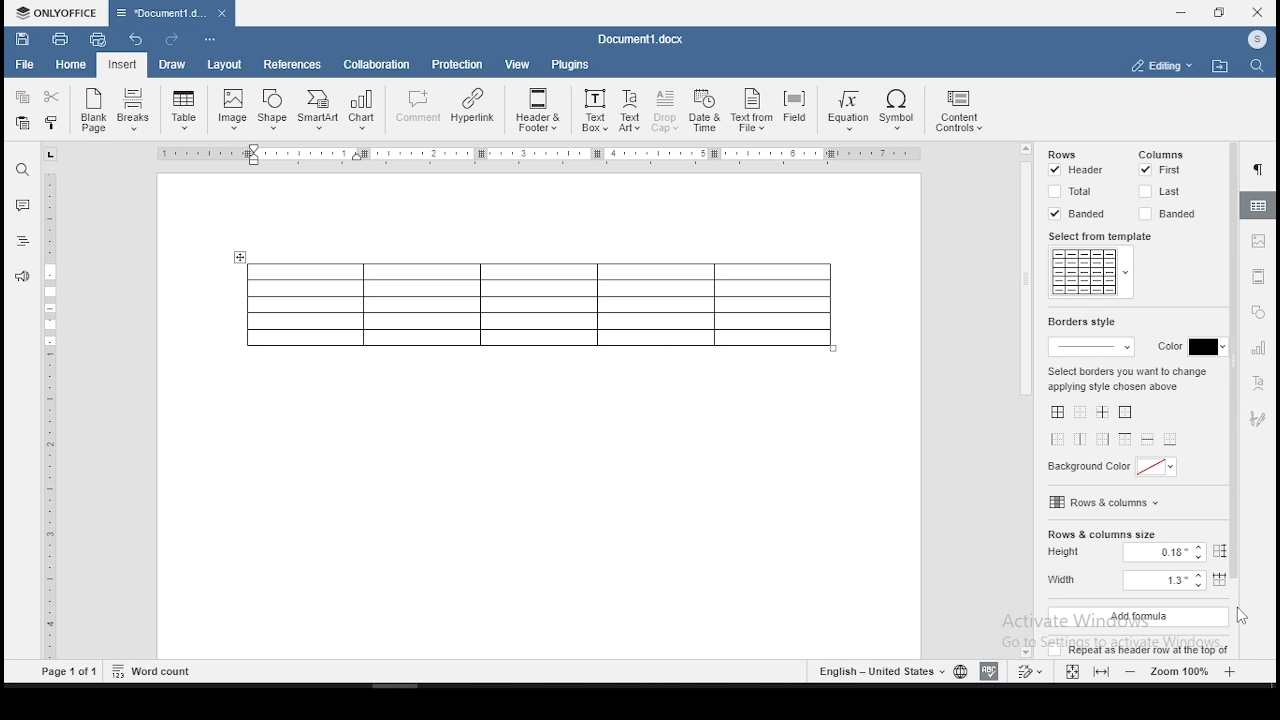 Image resolution: width=1280 pixels, height=720 pixels. What do you see at coordinates (1127, 380) in the screenshot?
I see `select borders you want to change applying style chosen above` at bounding box center [1127, 380].